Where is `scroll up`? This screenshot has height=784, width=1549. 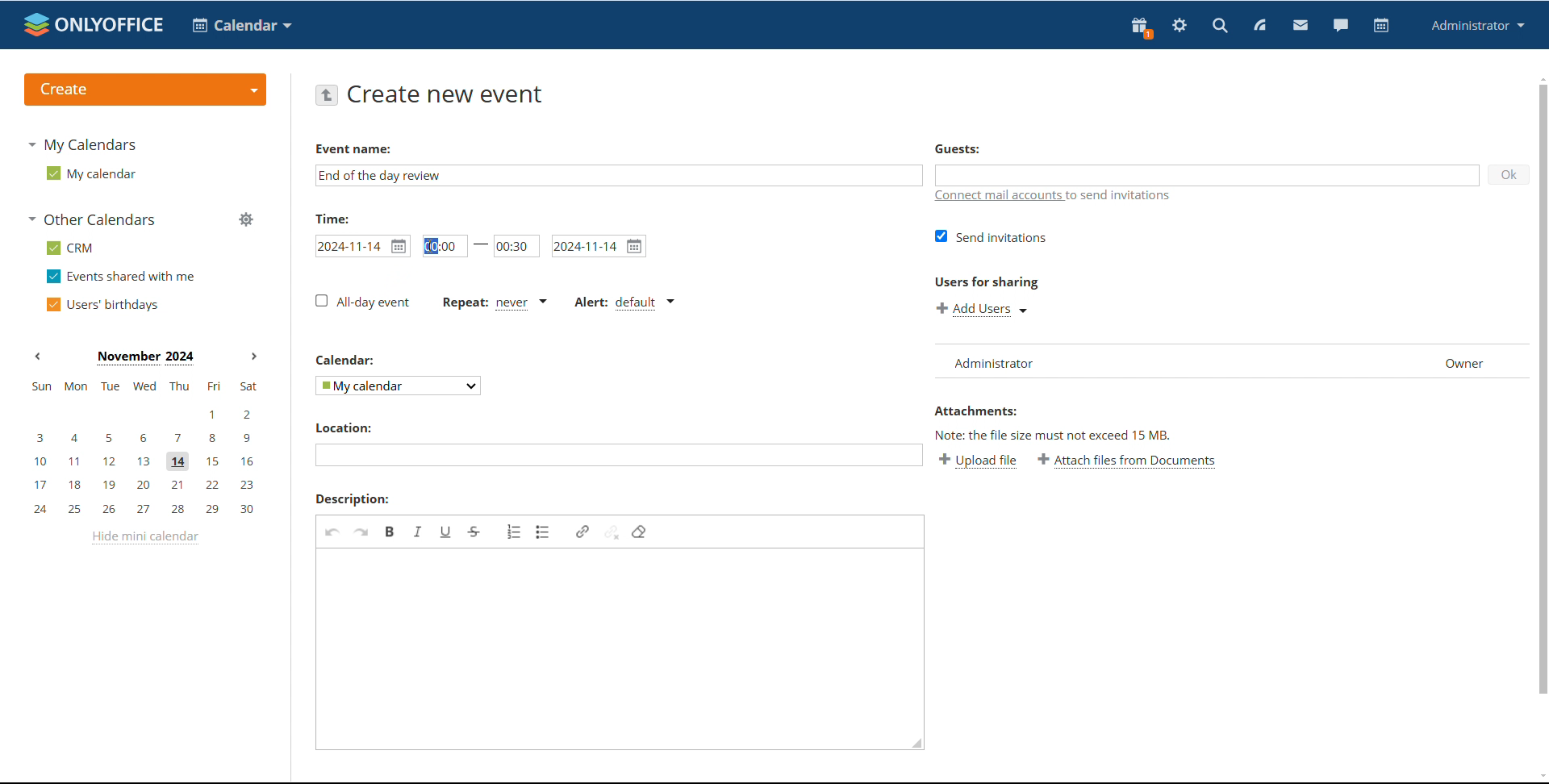
scroll up is located at coordinates (1539, 77).